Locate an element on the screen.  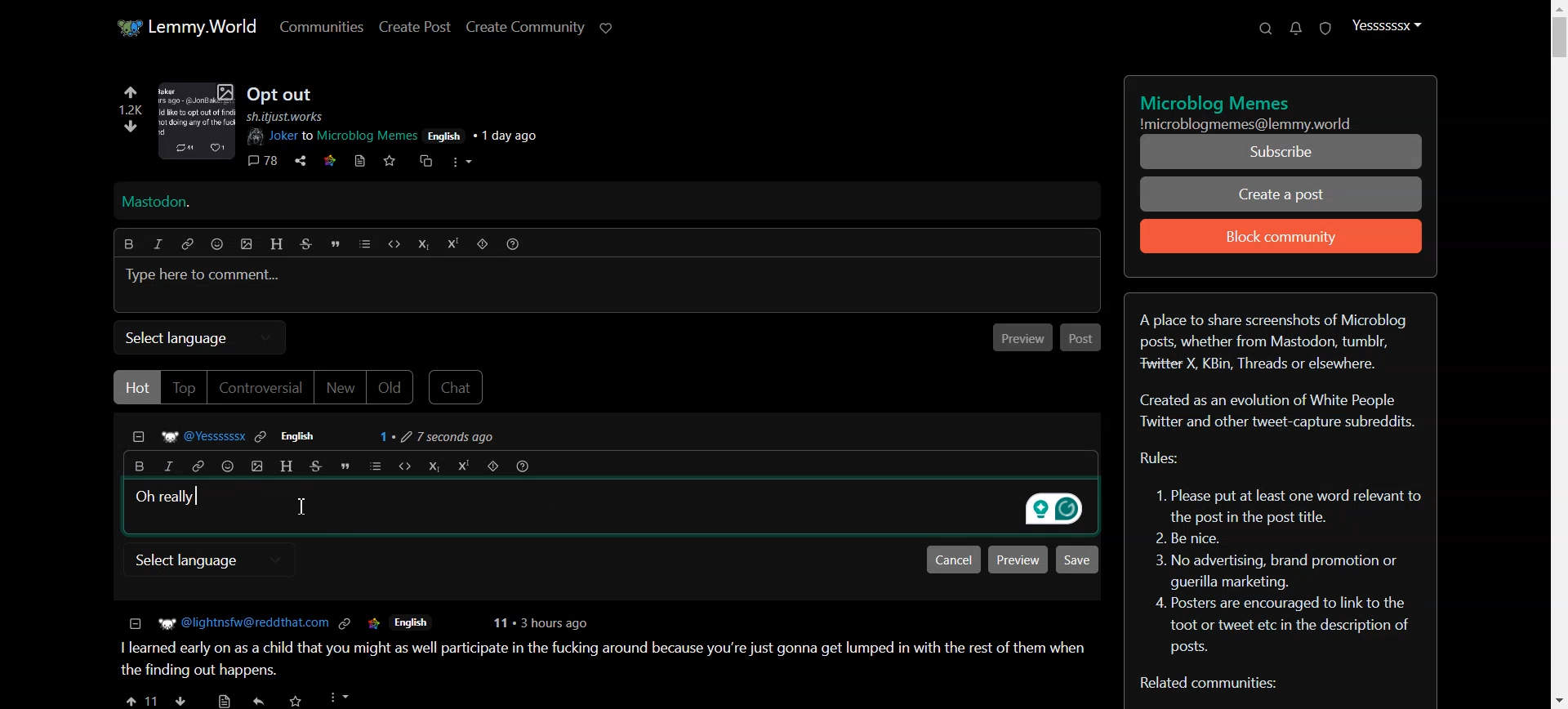
Controversial  is located at coordinates (261, 388).